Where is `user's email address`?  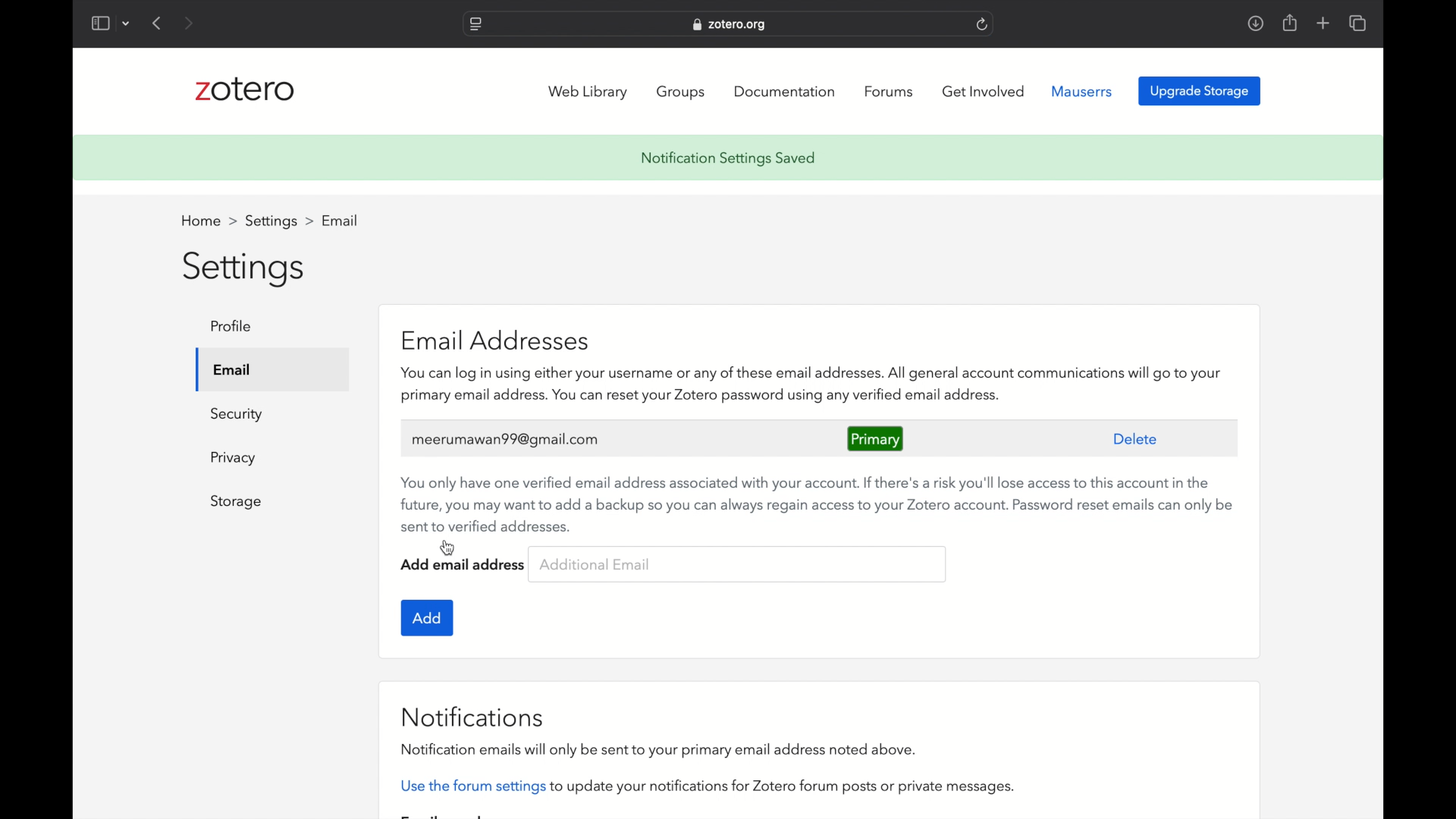 user's email address is located at coordinates (509, 438).